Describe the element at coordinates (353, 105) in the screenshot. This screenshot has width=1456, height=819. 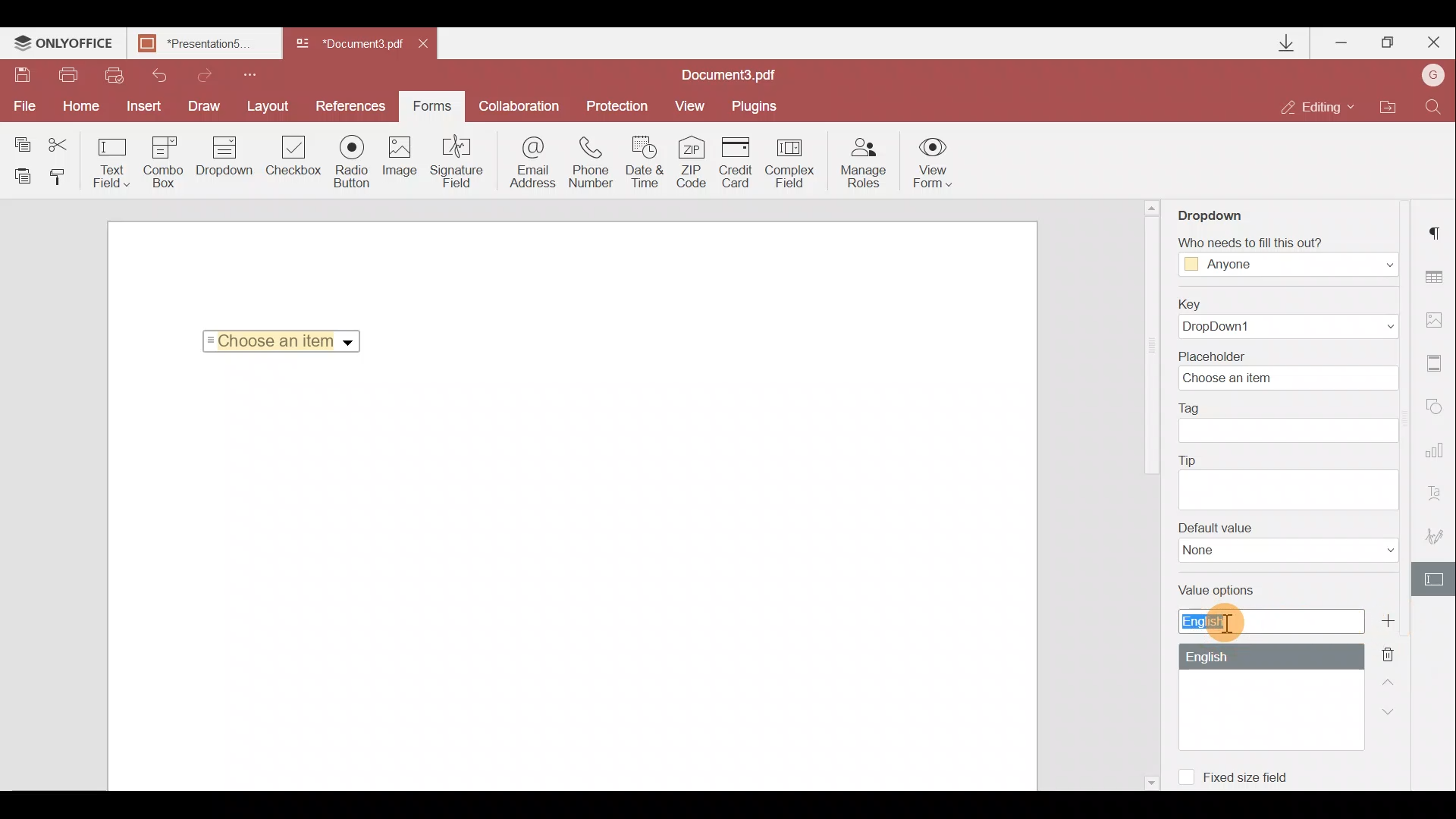
I see `References` at that location.